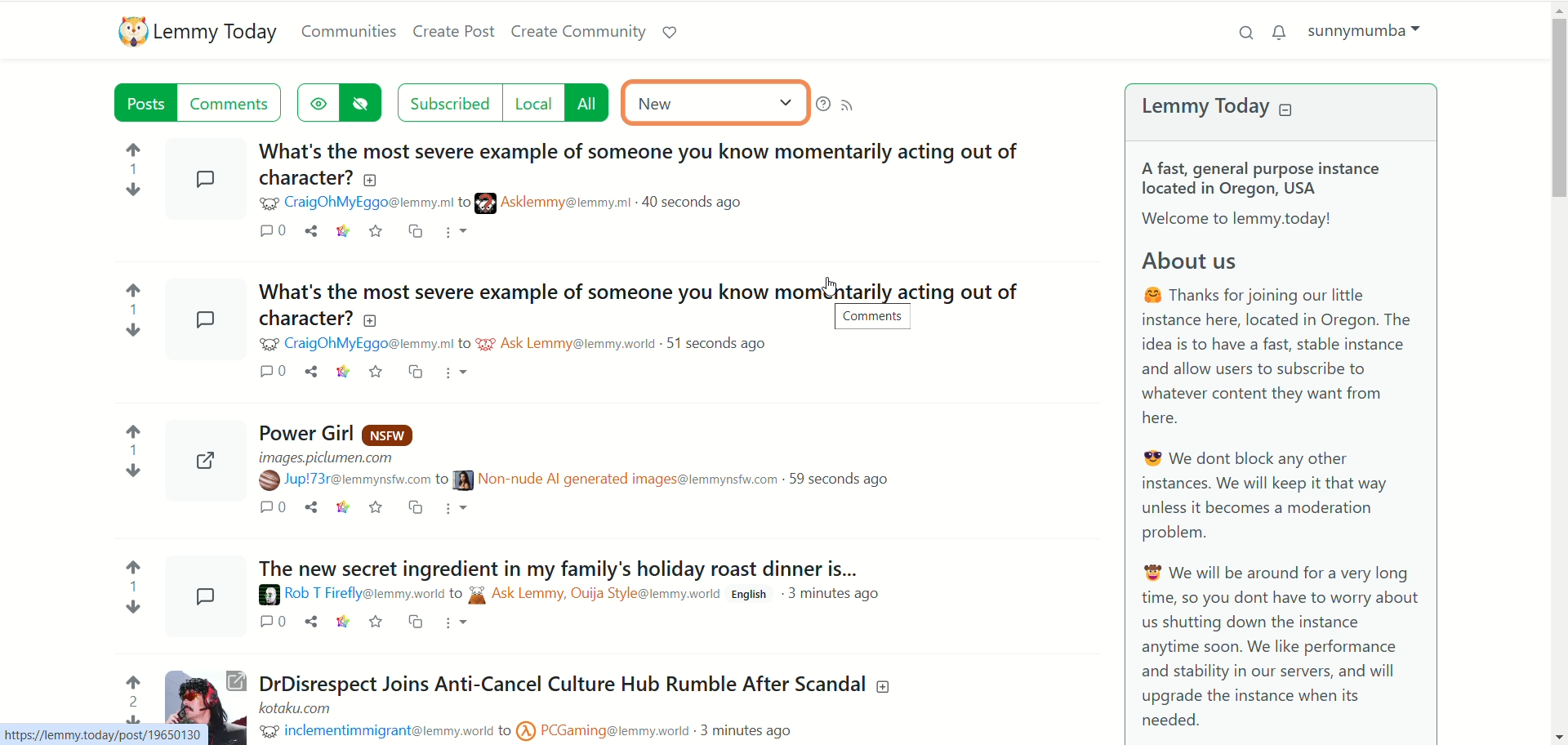 The image size is (1568, 745). What do you see at coordinates (638, 301) in the screenshot?
I see `What's the most severe example of someone you know momentarily acting out of character?` at bounding box center [638, 301].